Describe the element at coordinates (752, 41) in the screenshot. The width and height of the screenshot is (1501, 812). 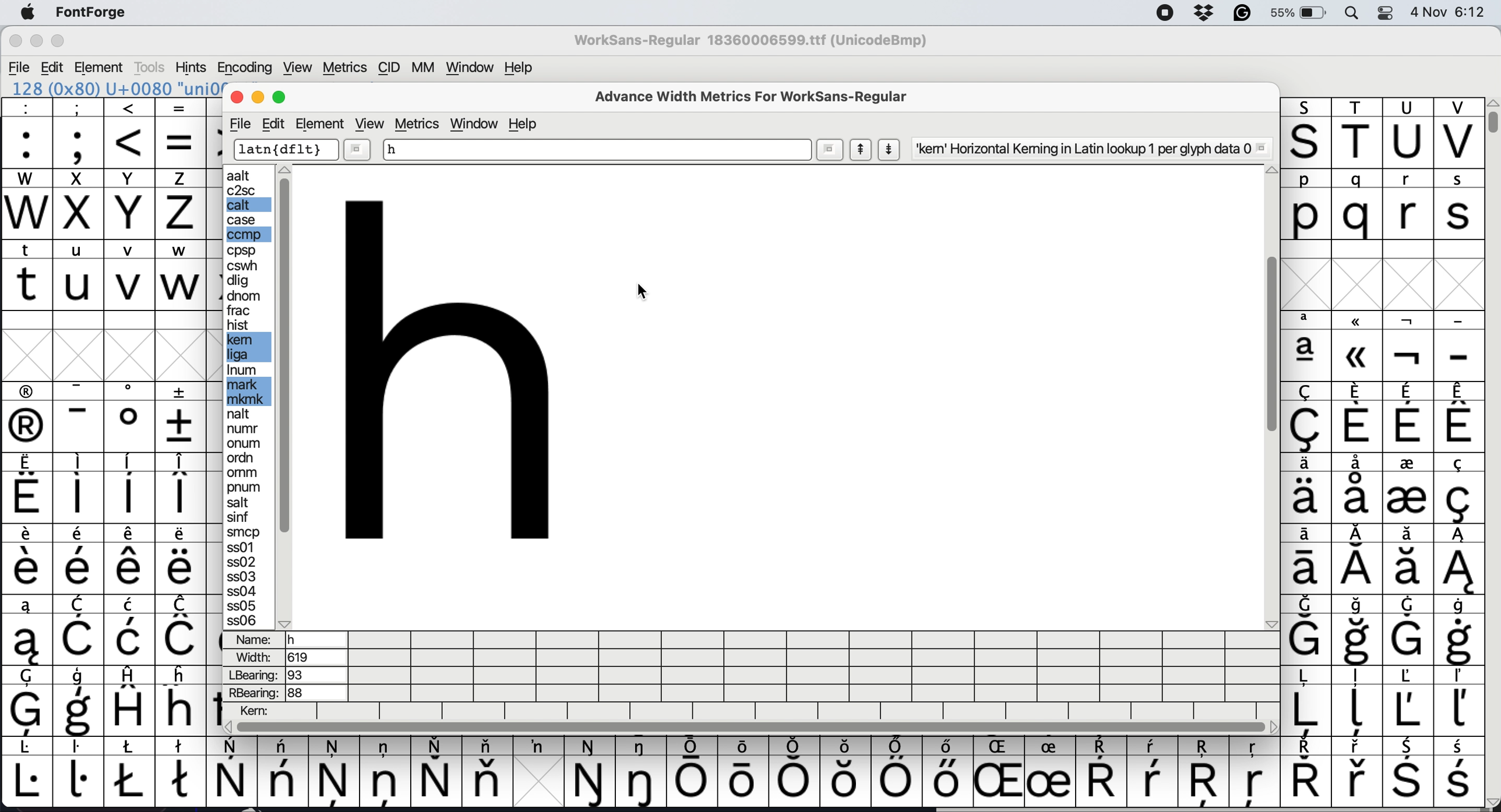
I see `WorkSans-Regular 18360006599.ttf (UnicodeBmp)` at that location.